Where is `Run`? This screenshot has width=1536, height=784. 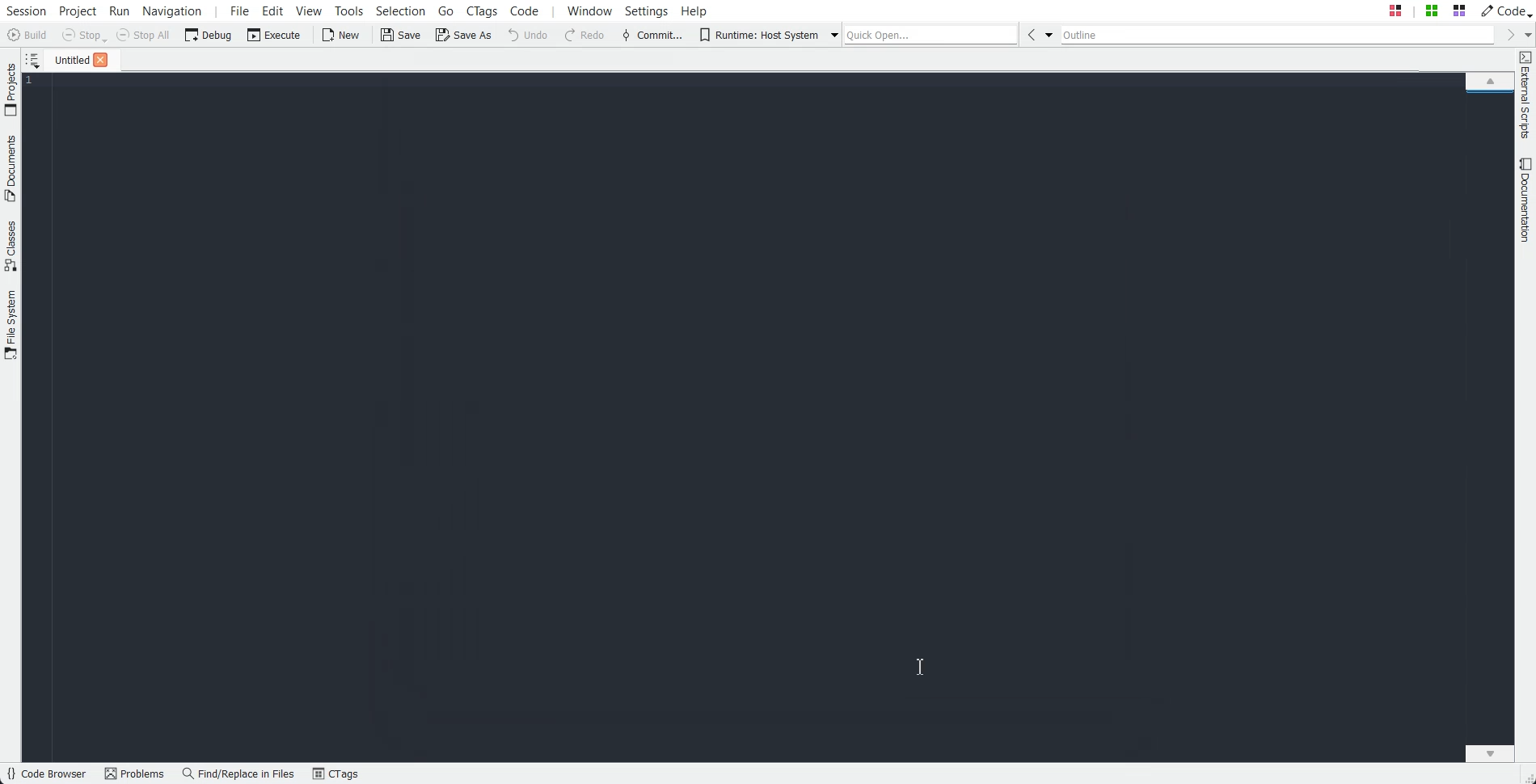 Run is located at coordinates (118, 11).